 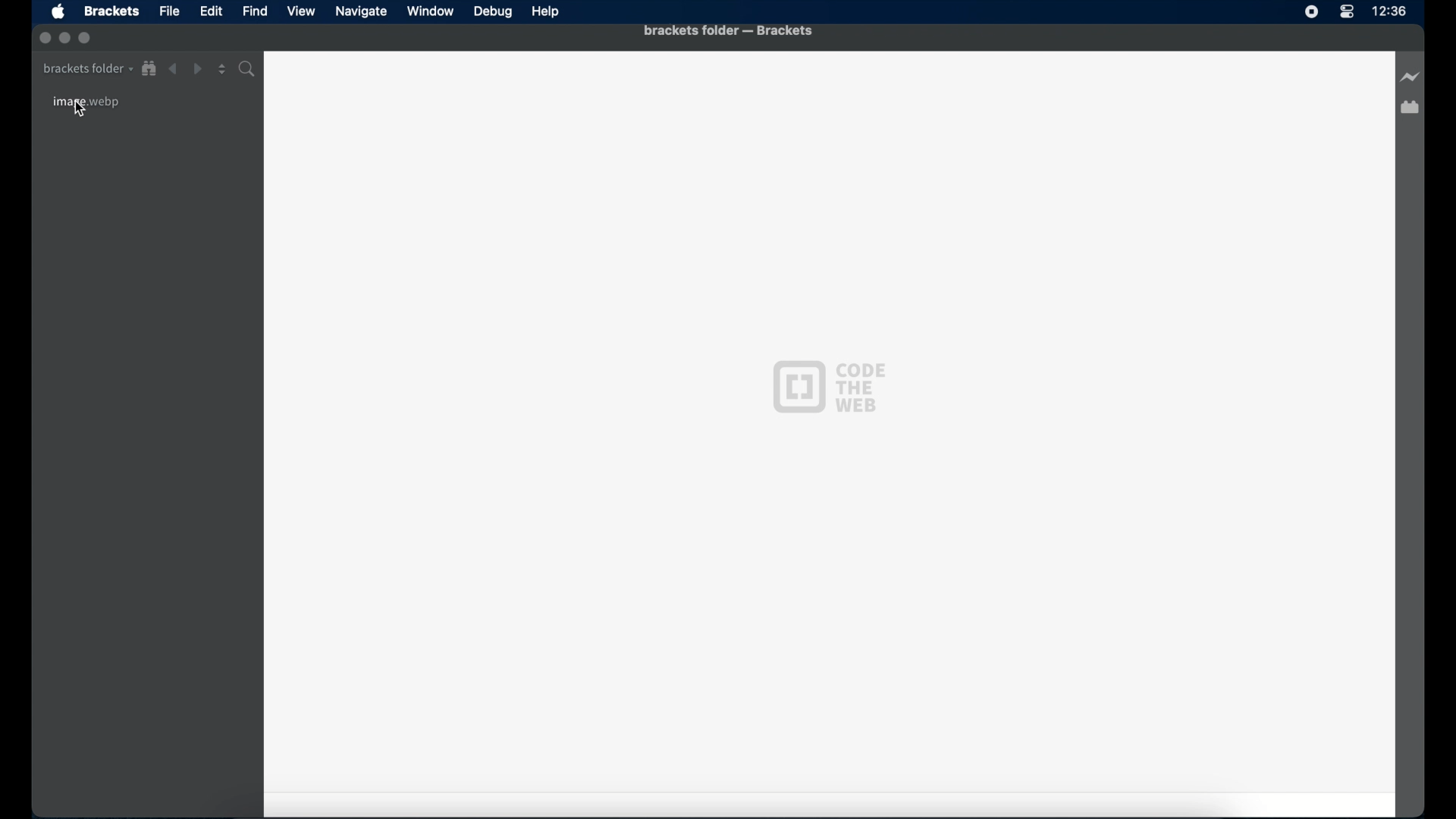 What do you see at coordinates (255, 11) in the screenshot?
I see `Find` at bounding box center [255, 11].